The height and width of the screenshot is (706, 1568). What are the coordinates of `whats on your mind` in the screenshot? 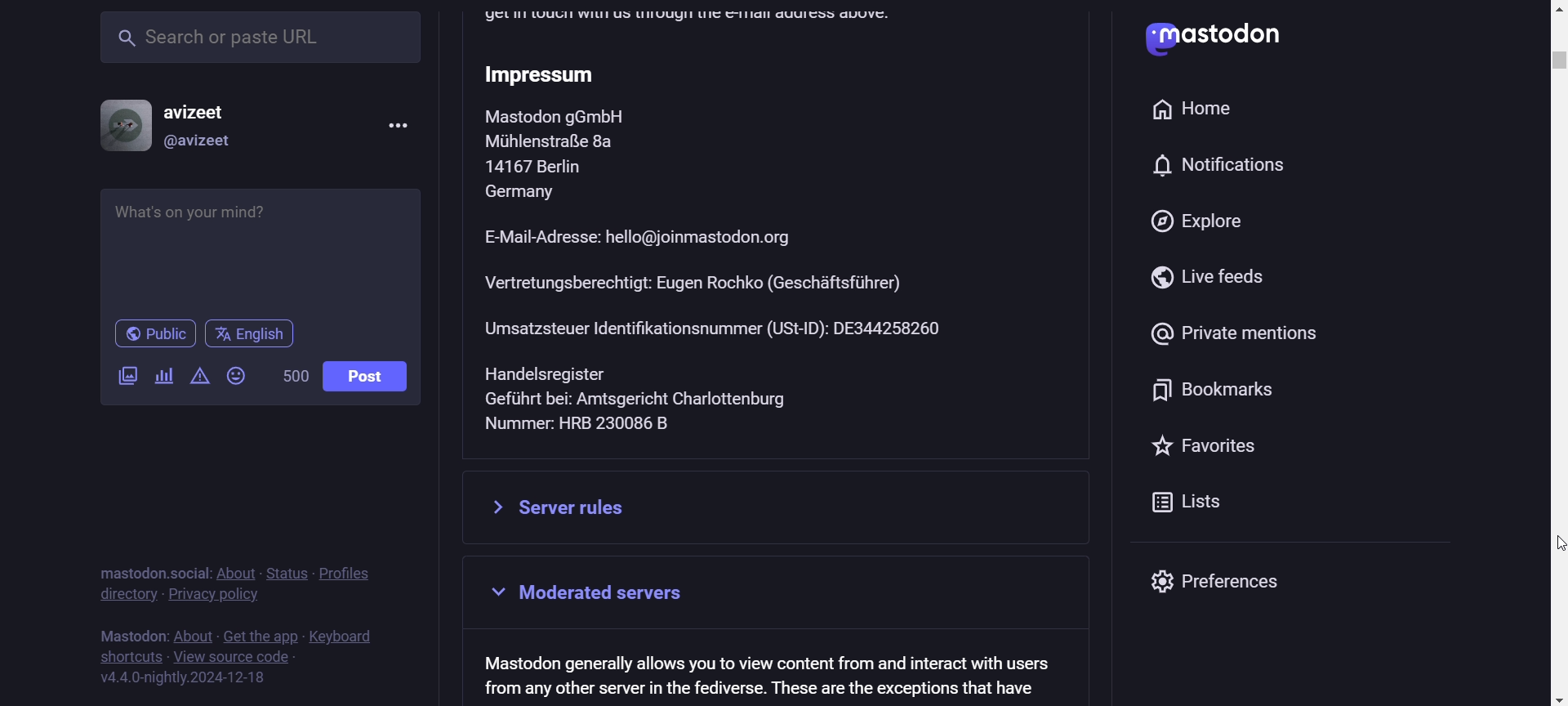 It's located at (262, 249).